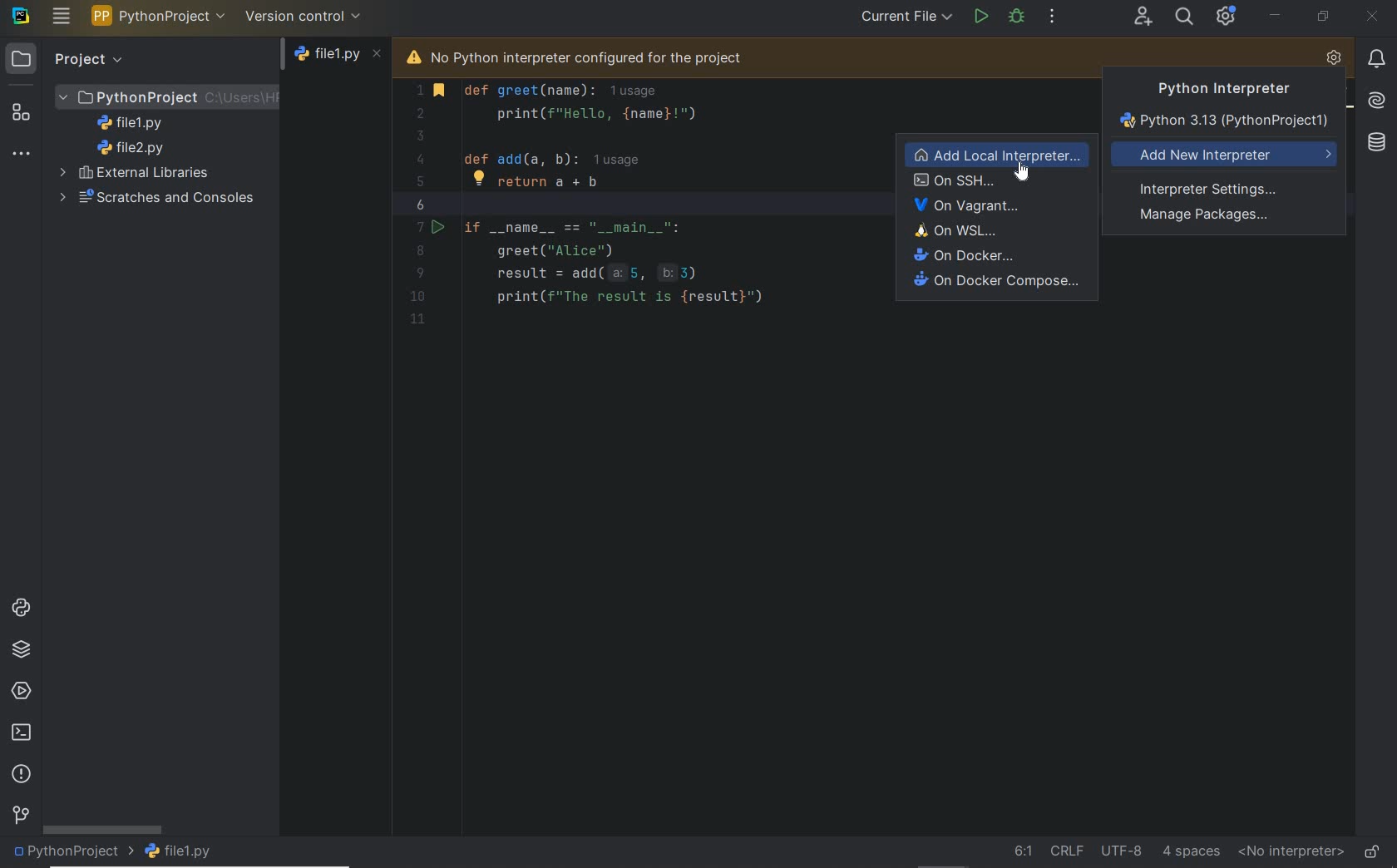 The width and height of the screenshot is (1397, 868). I want to click on On Vagrant, so click(997, 206).